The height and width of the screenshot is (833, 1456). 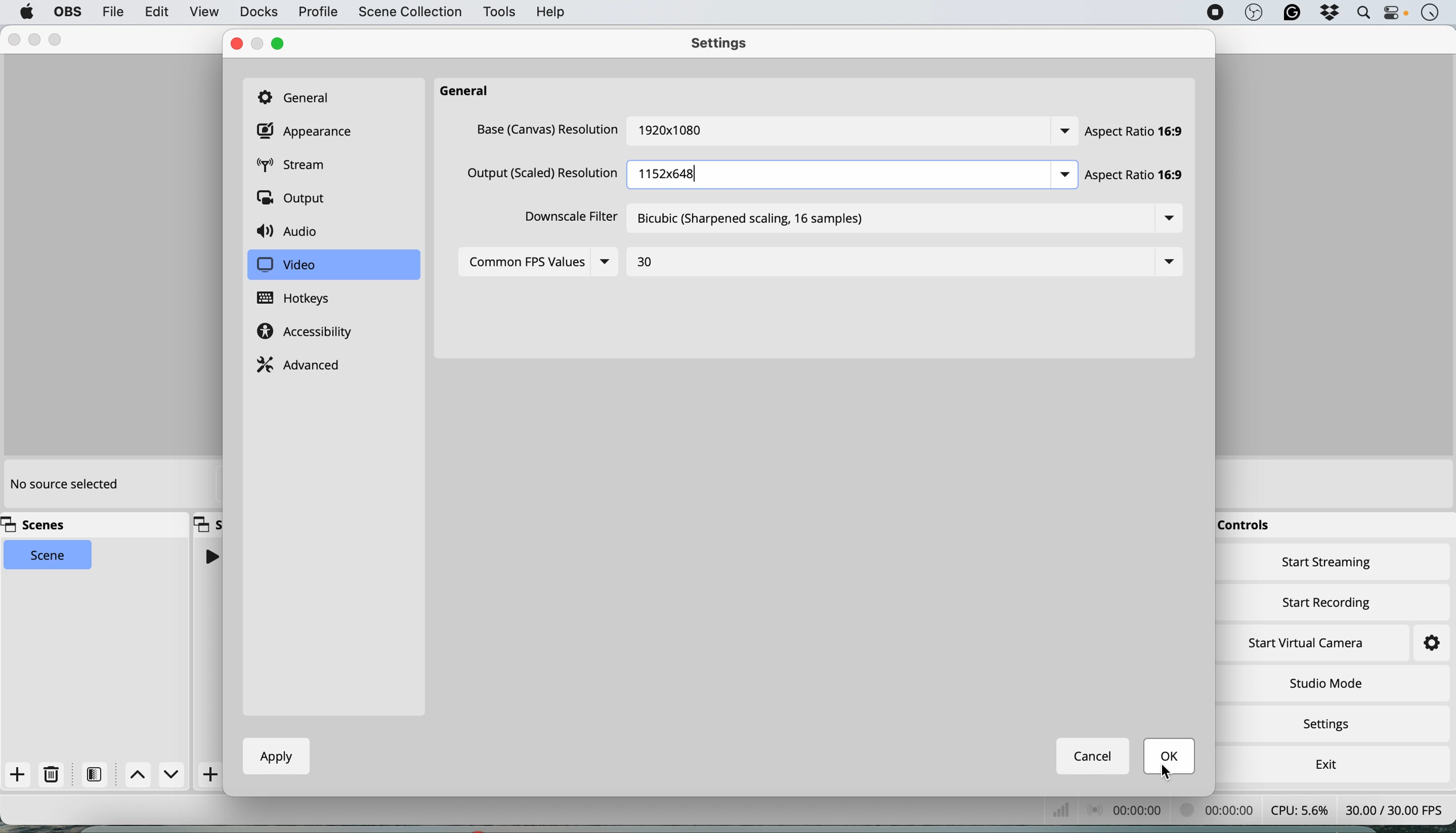 What do you see at coordinates (98, 774) in the screenshot?
I see `filters` at bounding box center [98, 774].